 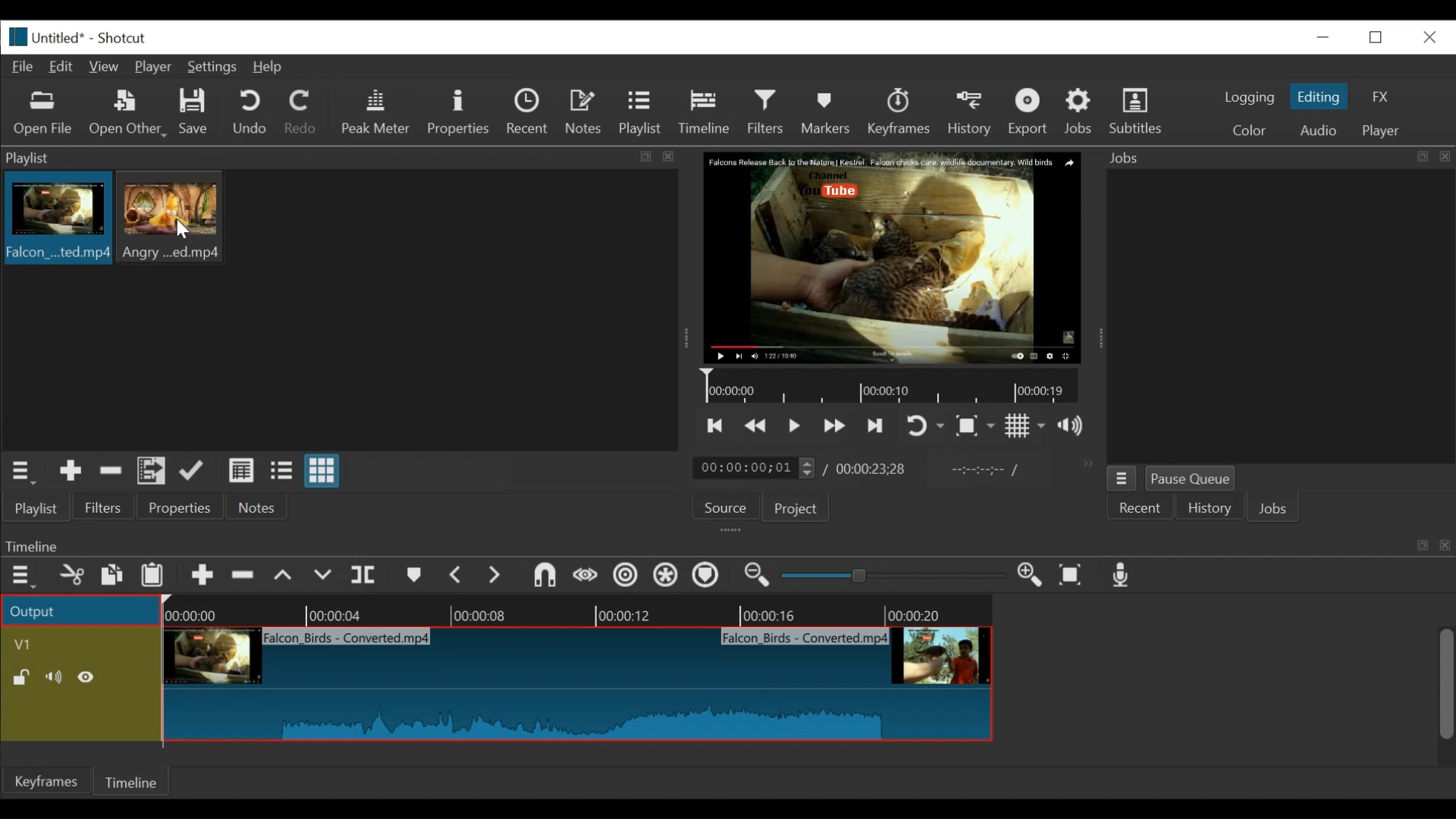 I want to click on Toggle display grid on player, so click(x=1025, y=425).